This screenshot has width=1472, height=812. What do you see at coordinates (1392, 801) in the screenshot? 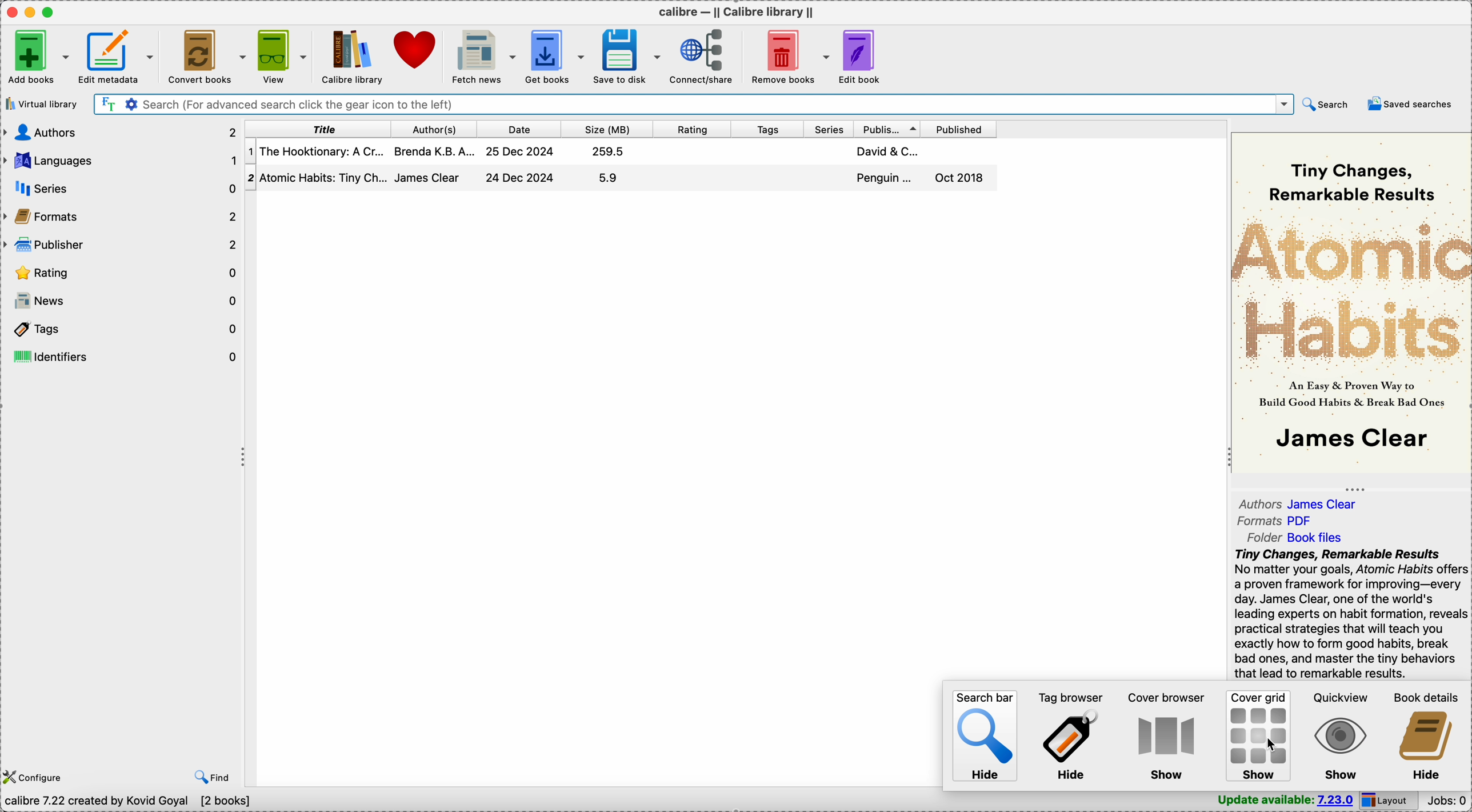
I see `layout` at bounding box center [1392, 801].